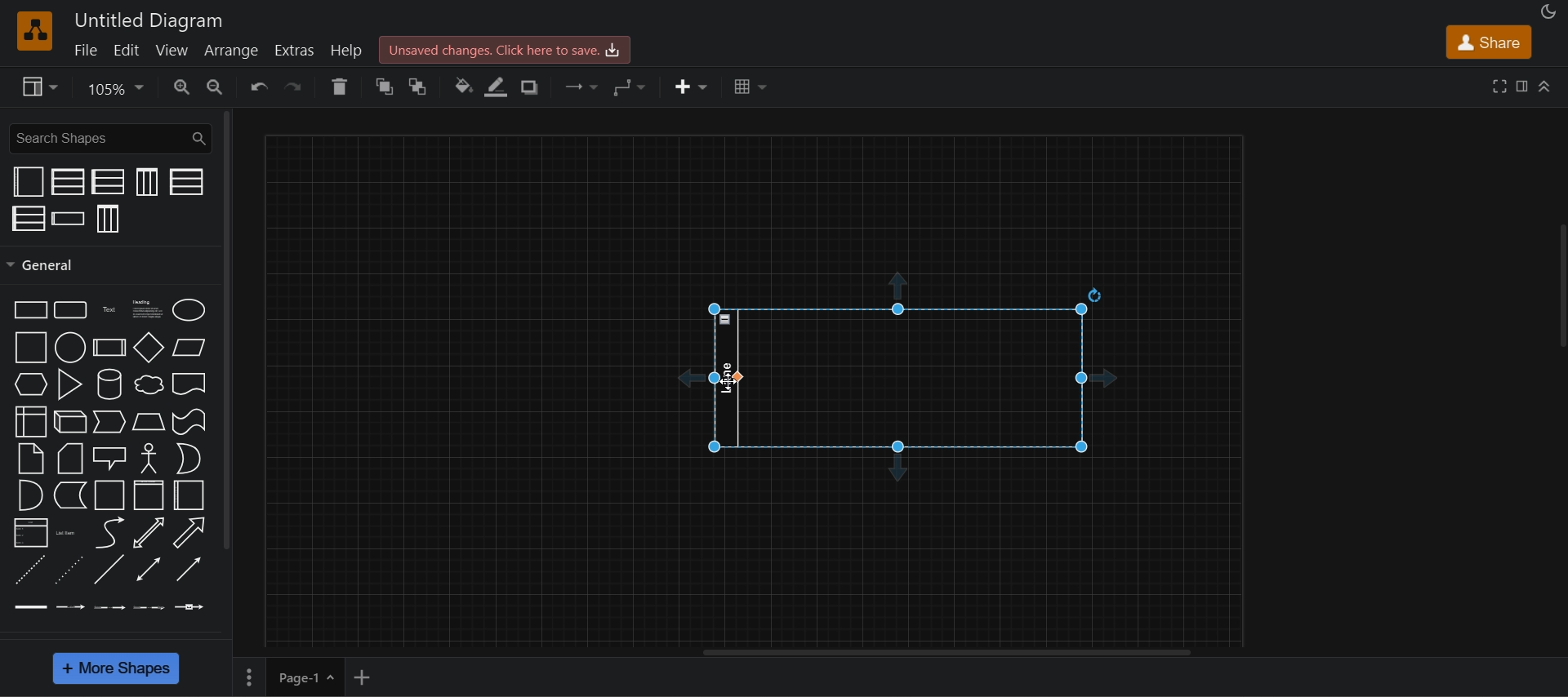 This screenshot has width=1568, height=697. Describe the element at coordinates (297, 51) in the screenshot. I see `extras` at that location.